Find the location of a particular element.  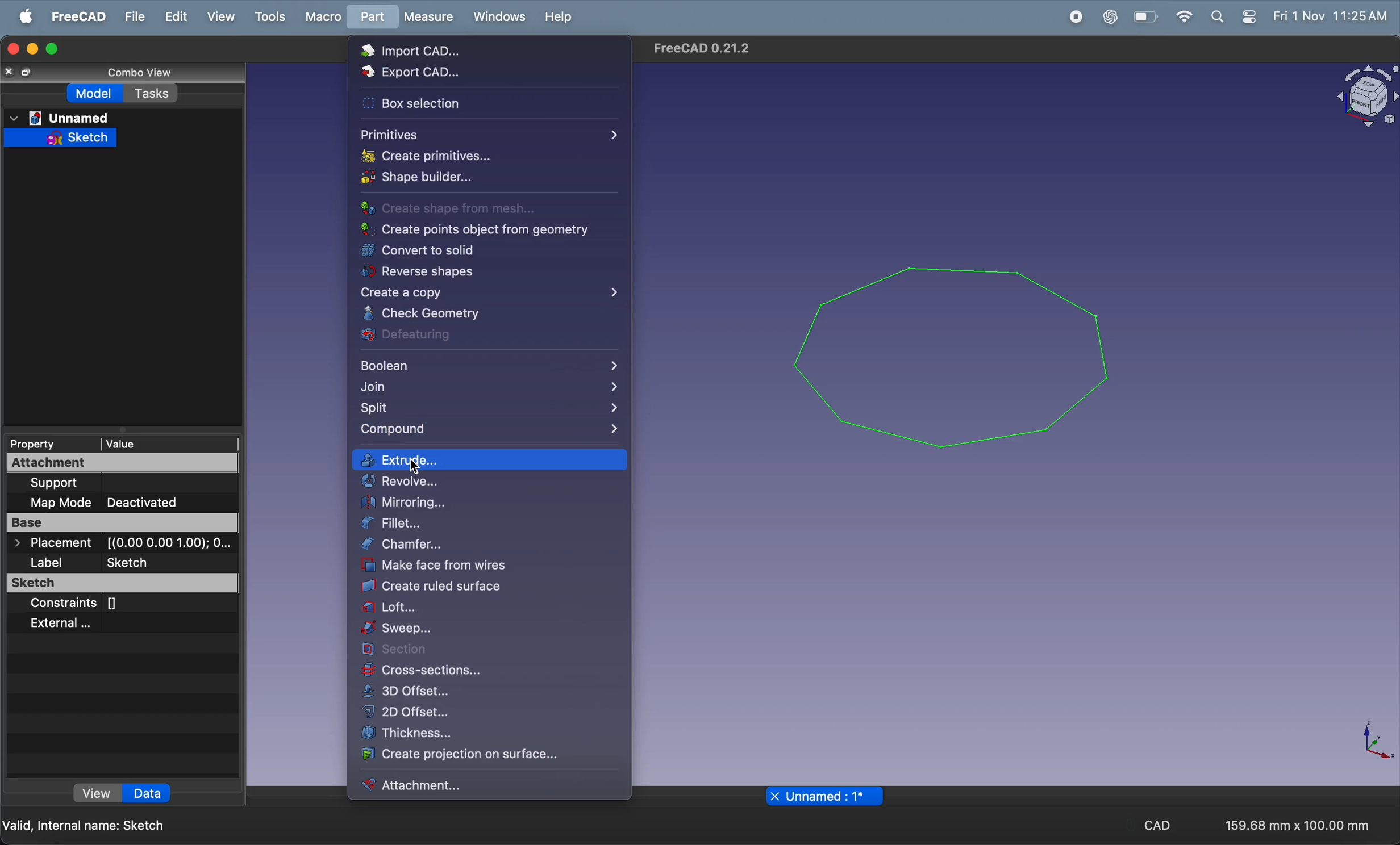

cross-sections is located at coordinates (489, 674).